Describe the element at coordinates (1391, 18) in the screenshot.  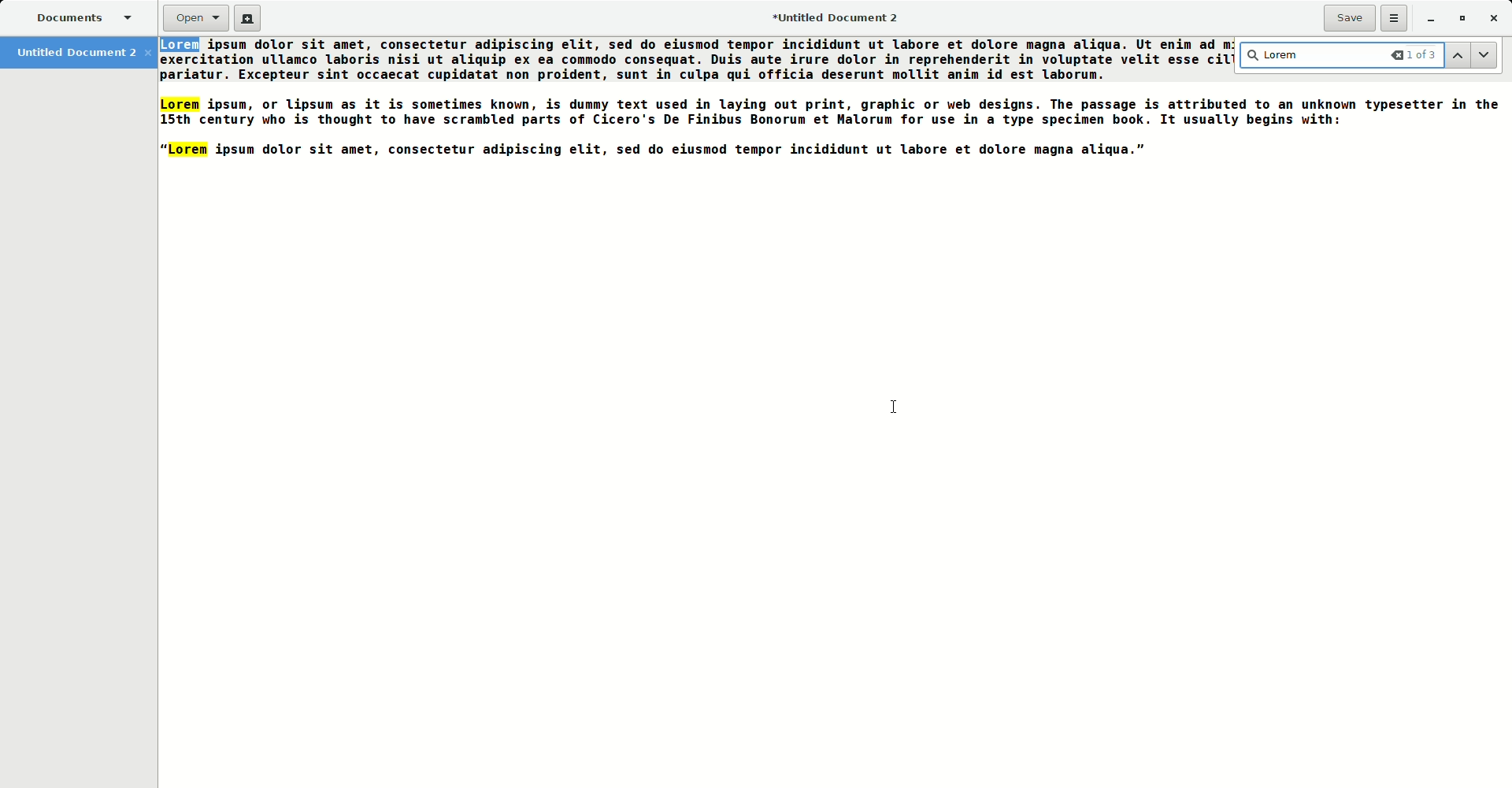
I see `Options` at that location.